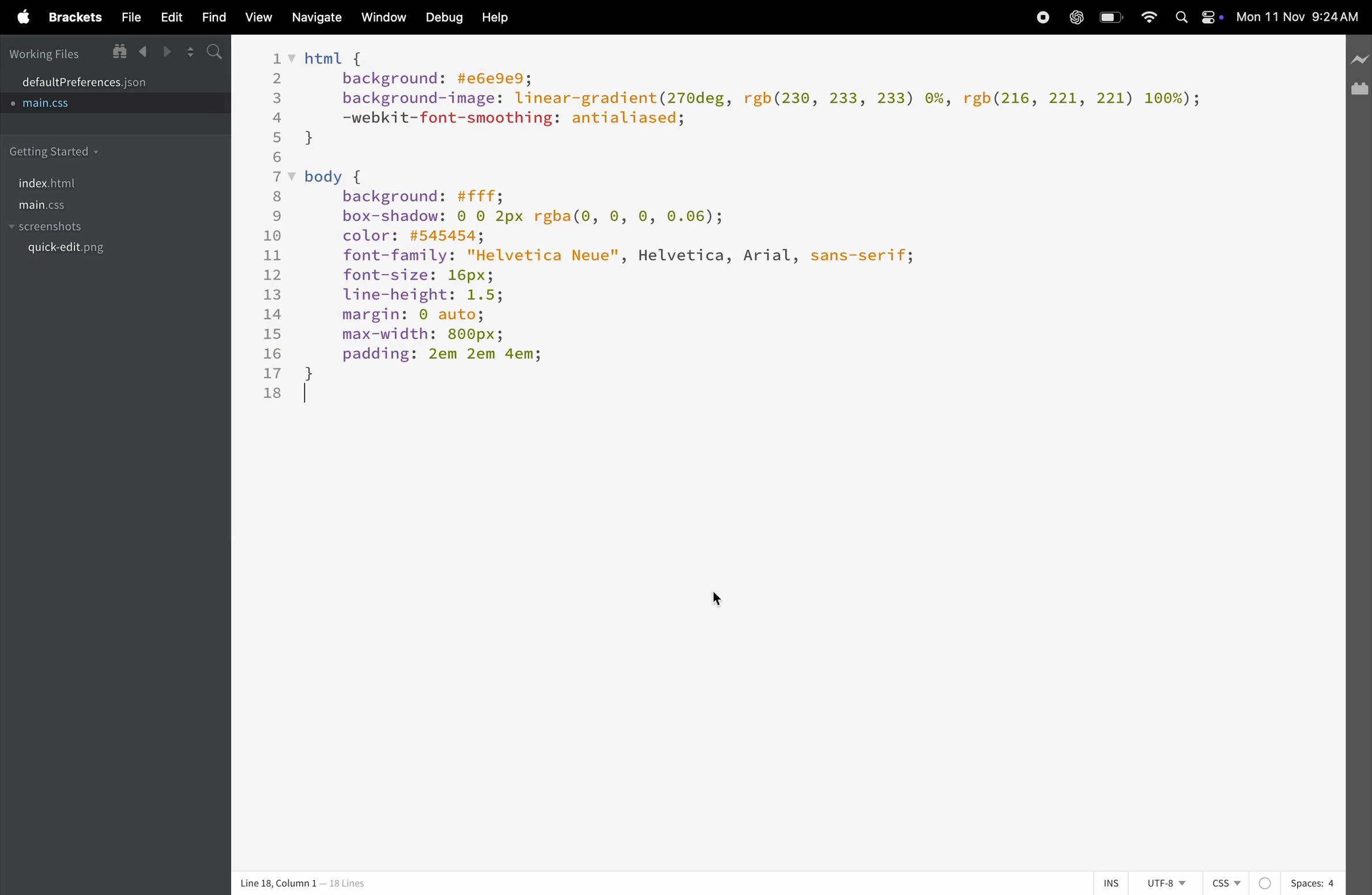  Describe the element at coordinates (92, 80) in the screenshot. I see `default prefrences` at that location.